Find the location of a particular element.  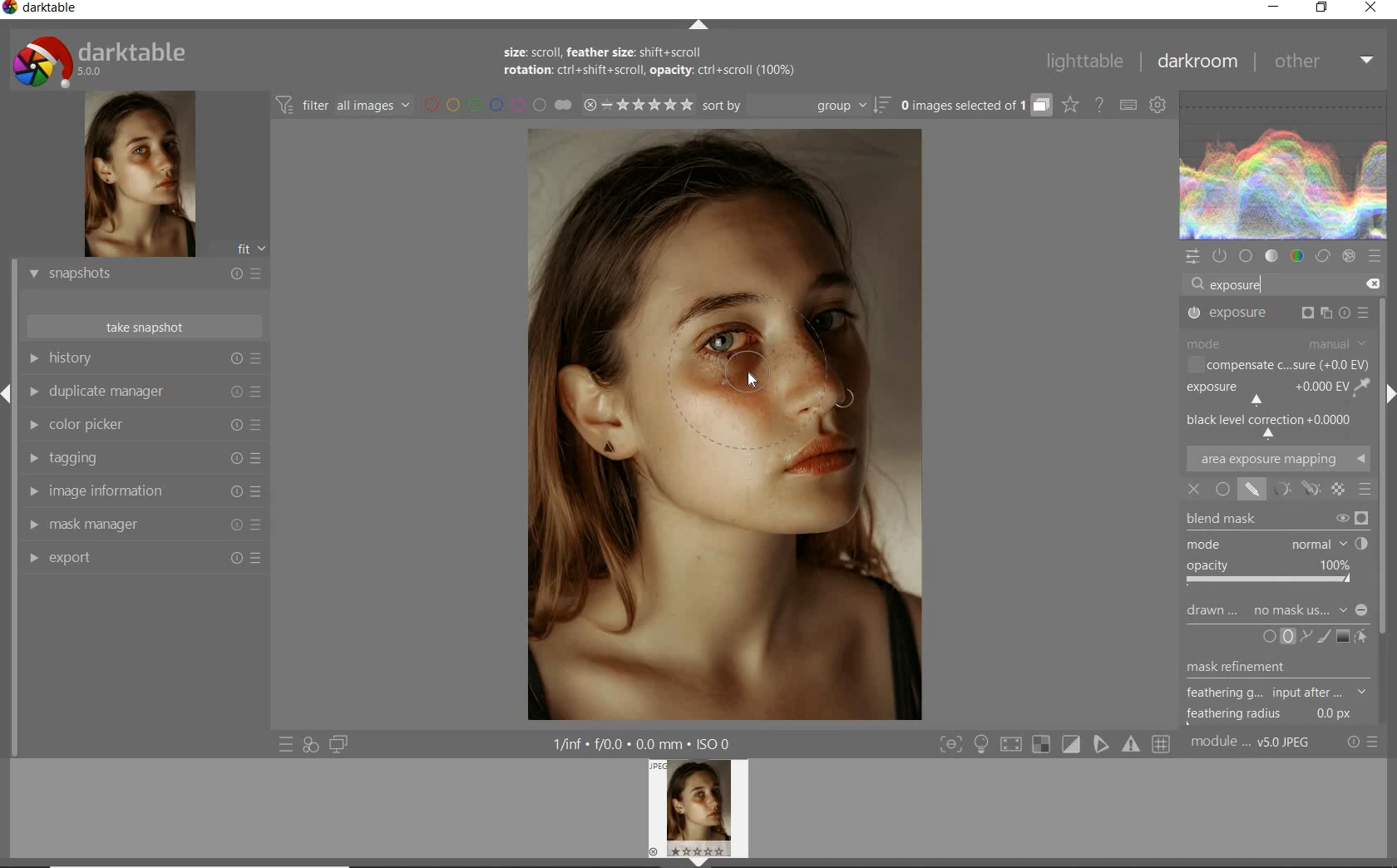

DRAWN MASK is located at coordinates (1277, 610).